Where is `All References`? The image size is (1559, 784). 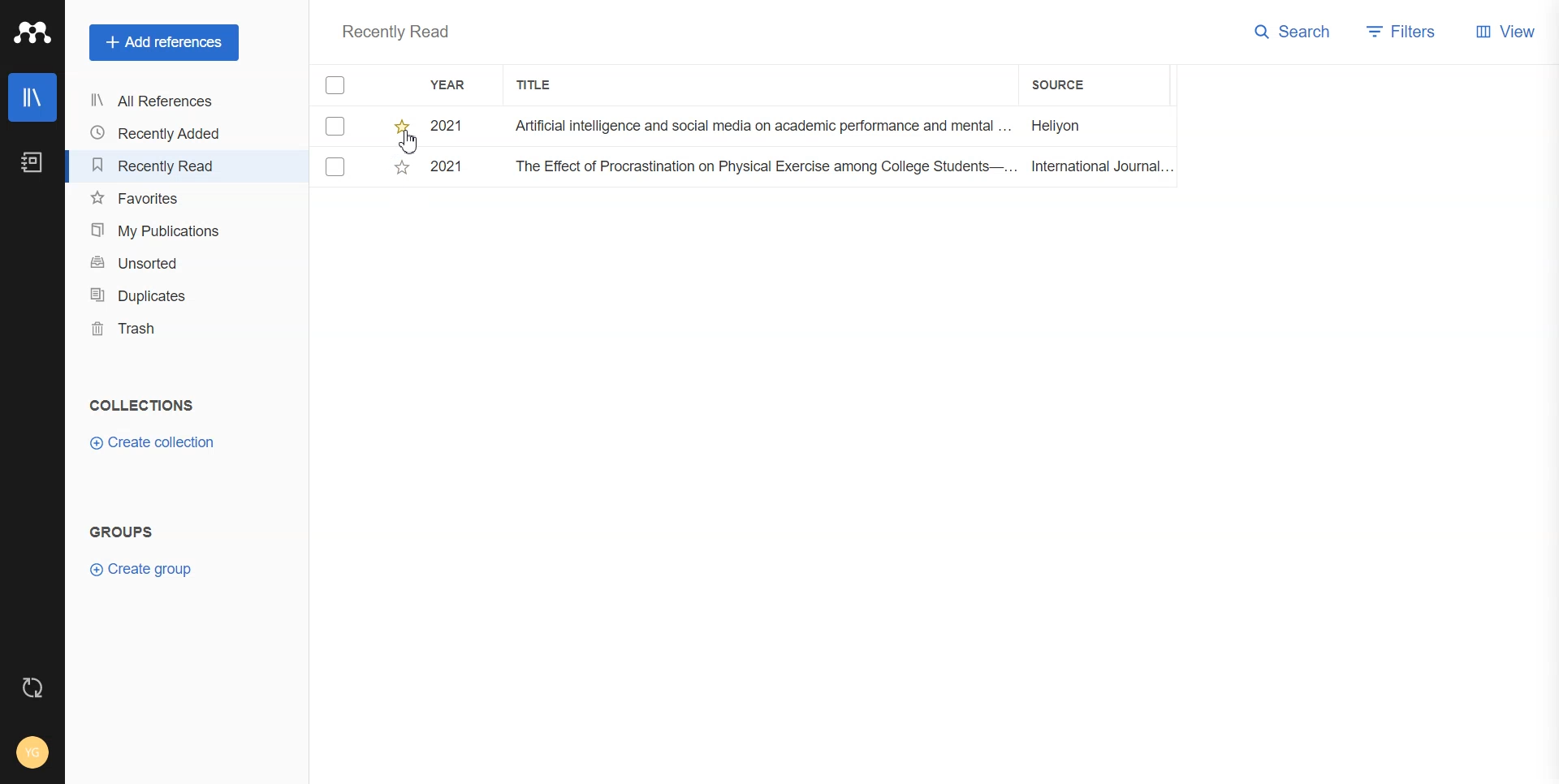 All References is located at coordinates (158, 102).